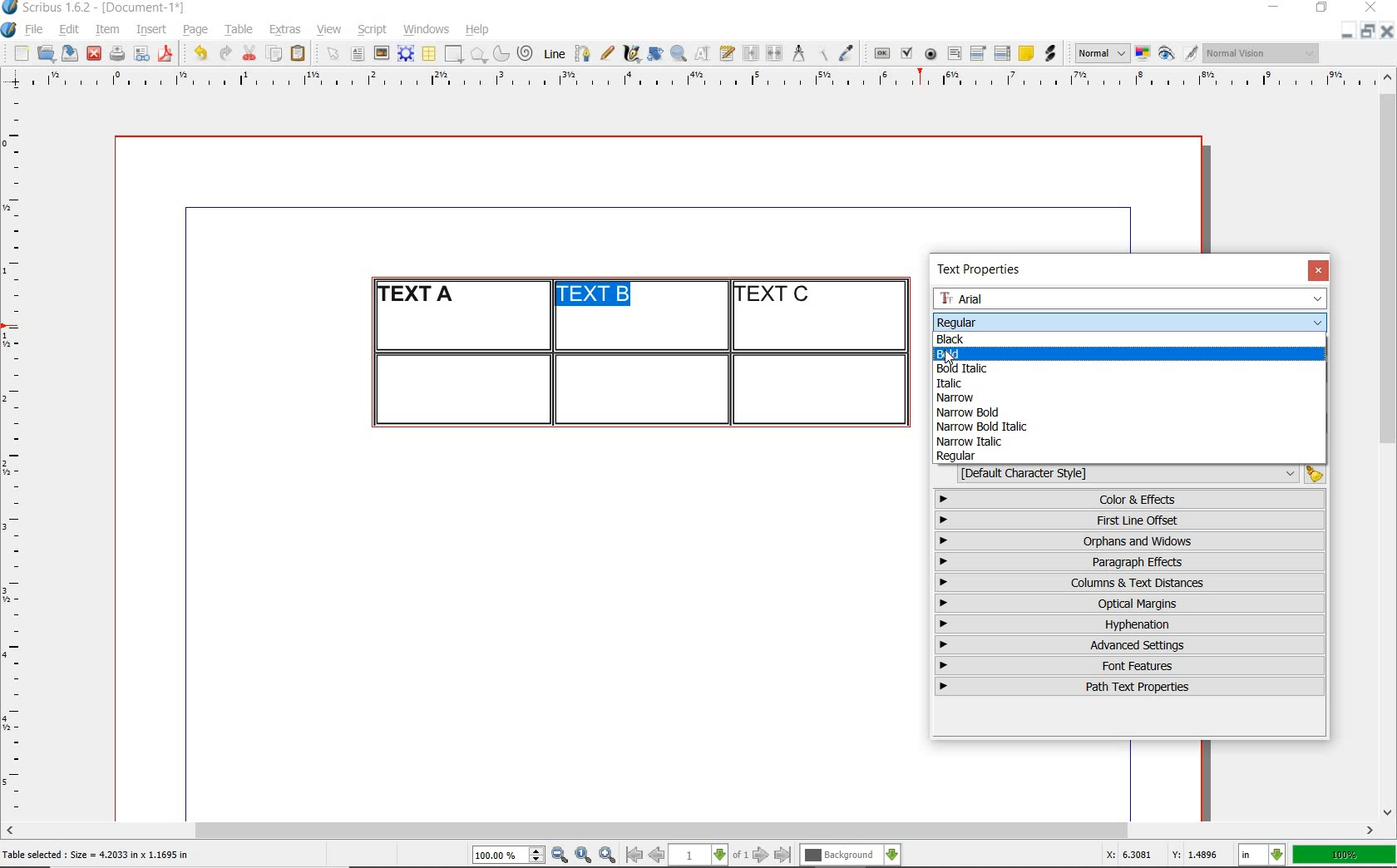  Describe the element at coordinates (195, 29) in the screenshot. I see `page` at that location.